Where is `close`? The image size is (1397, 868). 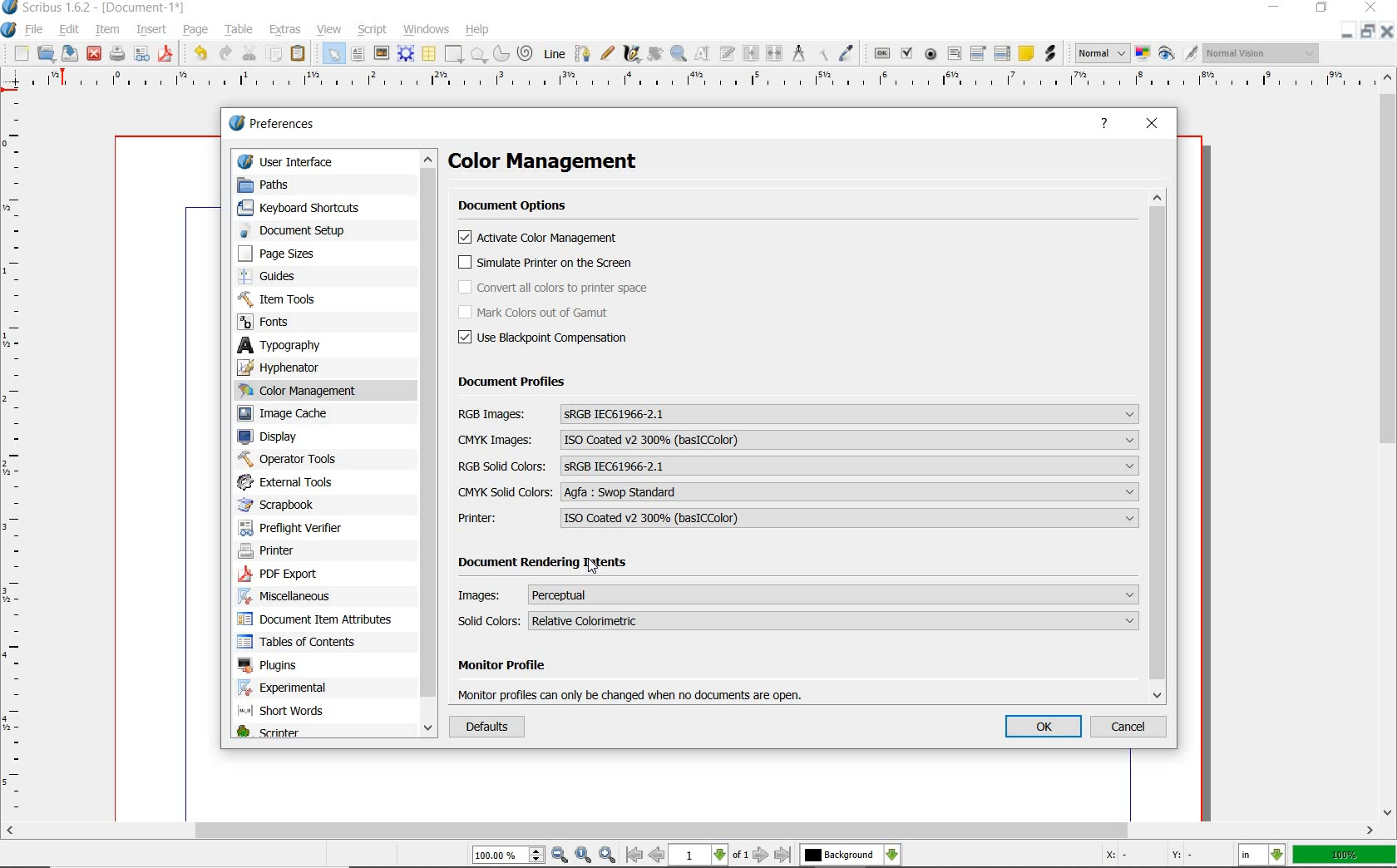
close is located at coordinates (1387, 32).